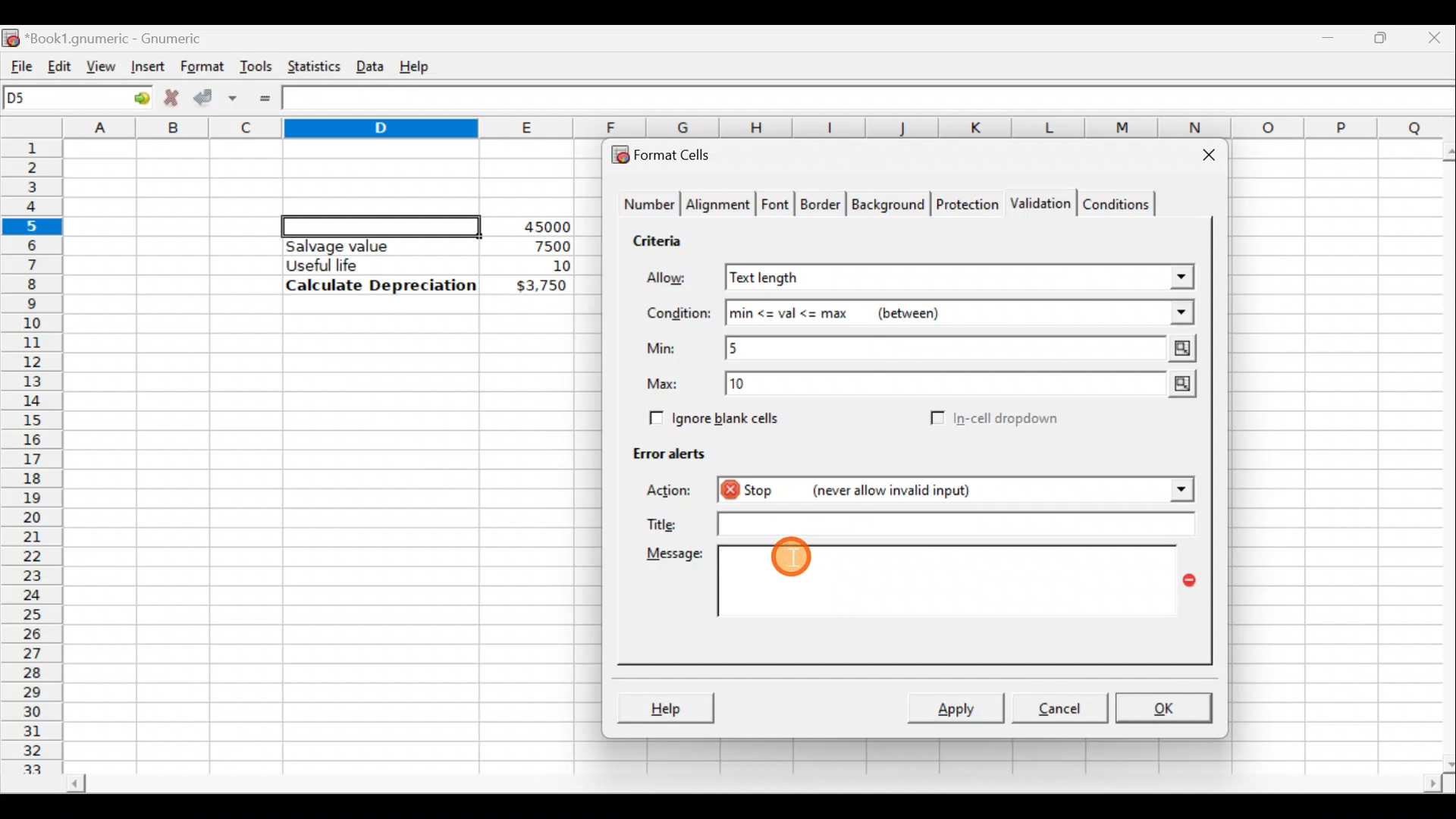  What do you see at coordinates (1057, 707) in the screenshot?
I see `Cancel` at bounding box center [1057, 707].